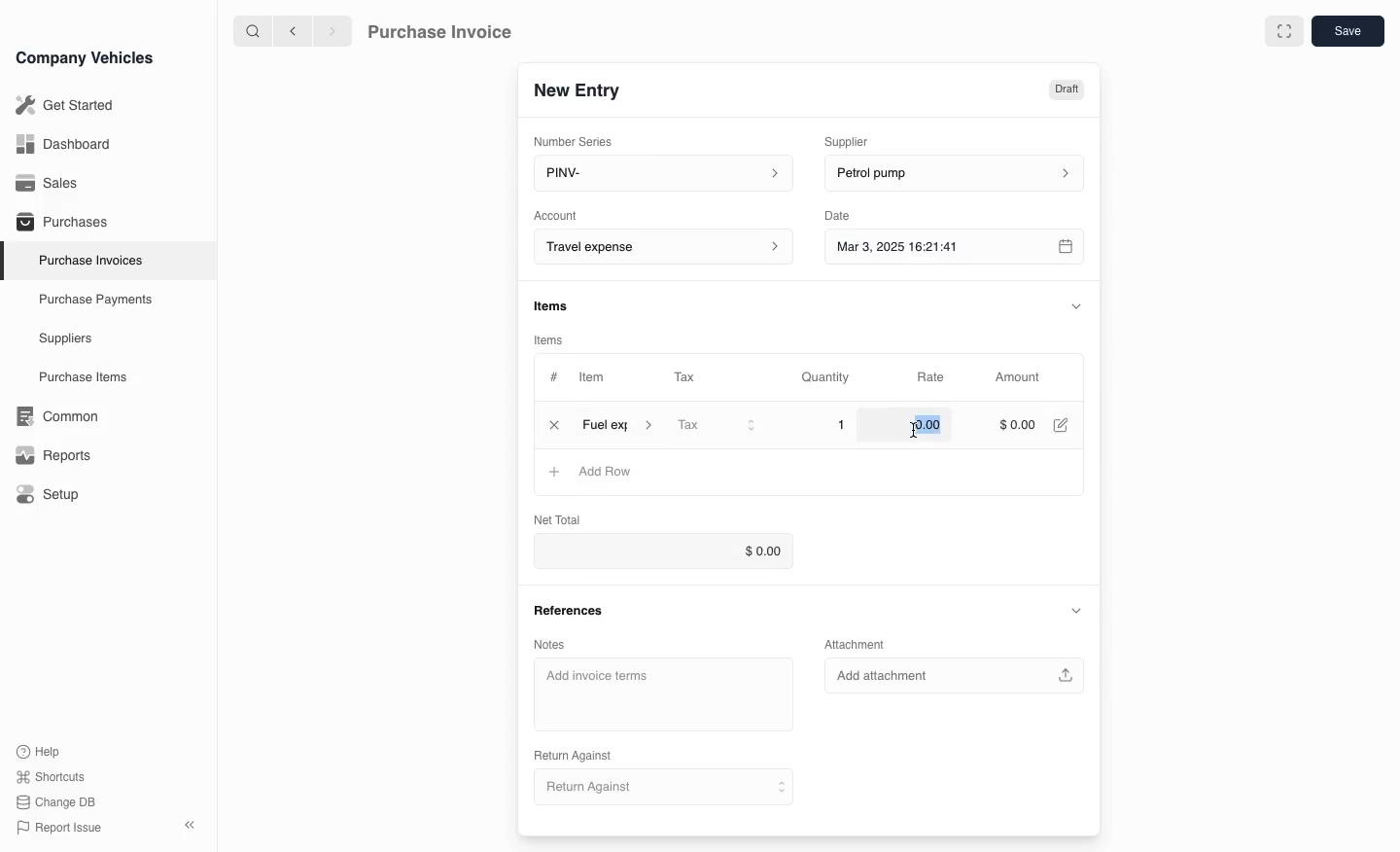 The height and width of the screenshot is (852, 1400). I want to click on Quantity, so click(828, 377).